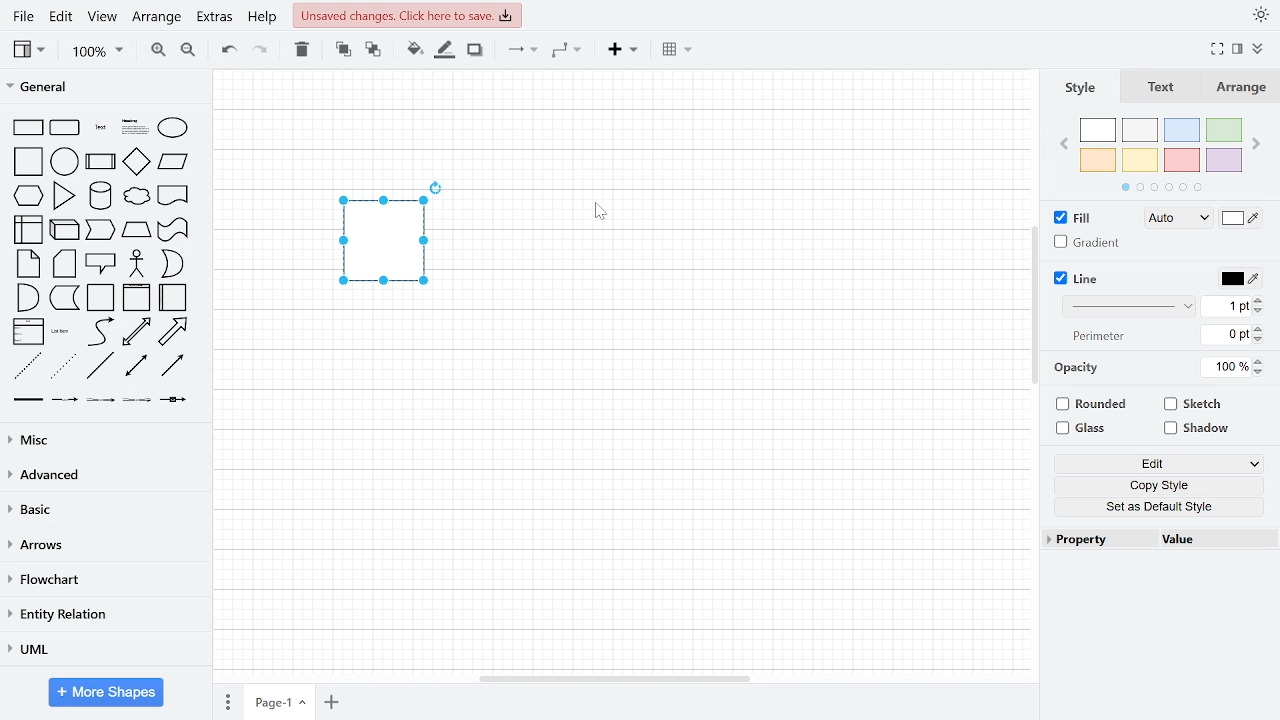  Describe the element at coordinates (28, 128) in the screenshot. I see `rectangle` at that location.